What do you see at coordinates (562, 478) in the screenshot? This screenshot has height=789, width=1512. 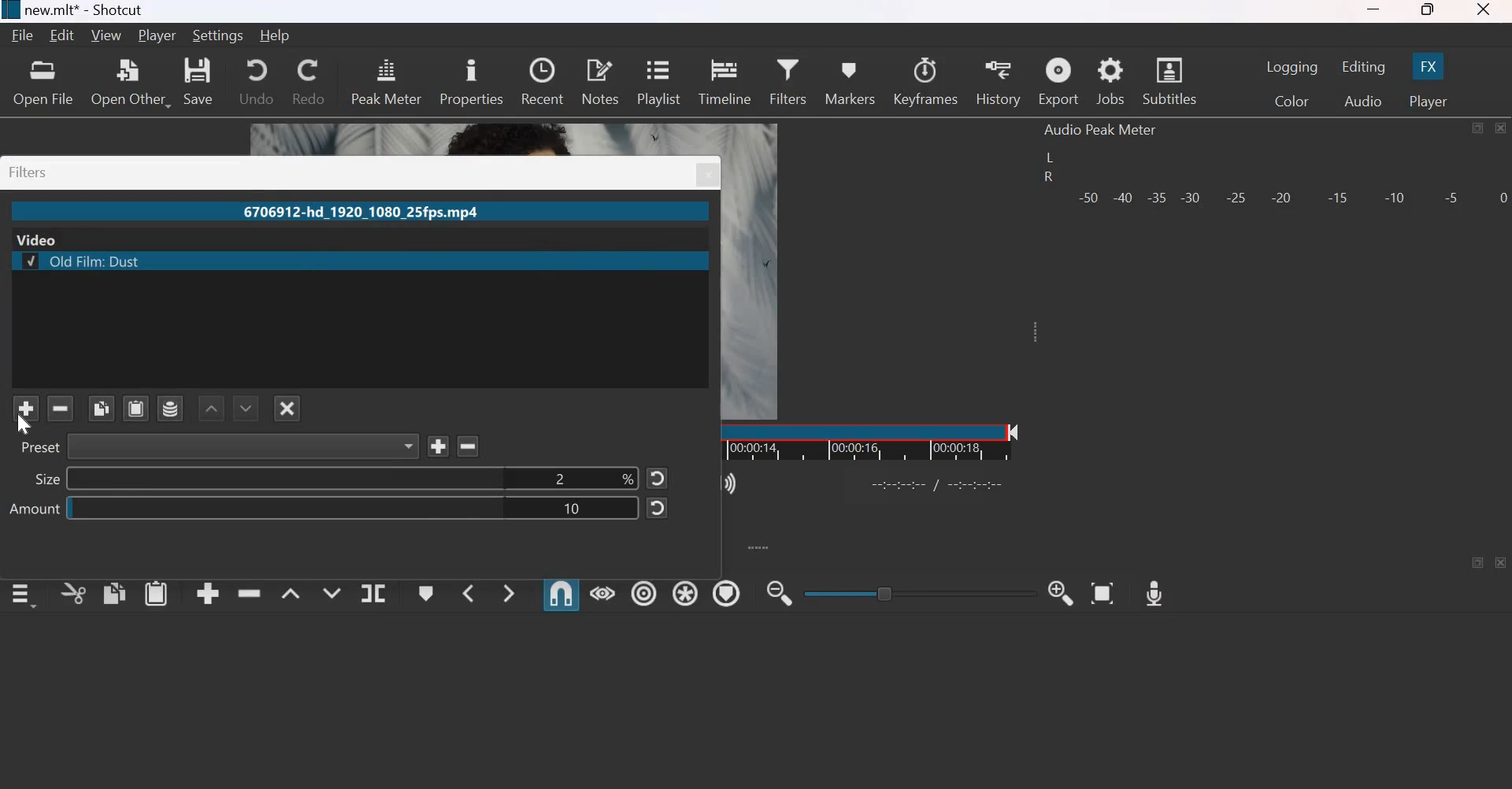 I see `2` at bounding box center [562, 478].